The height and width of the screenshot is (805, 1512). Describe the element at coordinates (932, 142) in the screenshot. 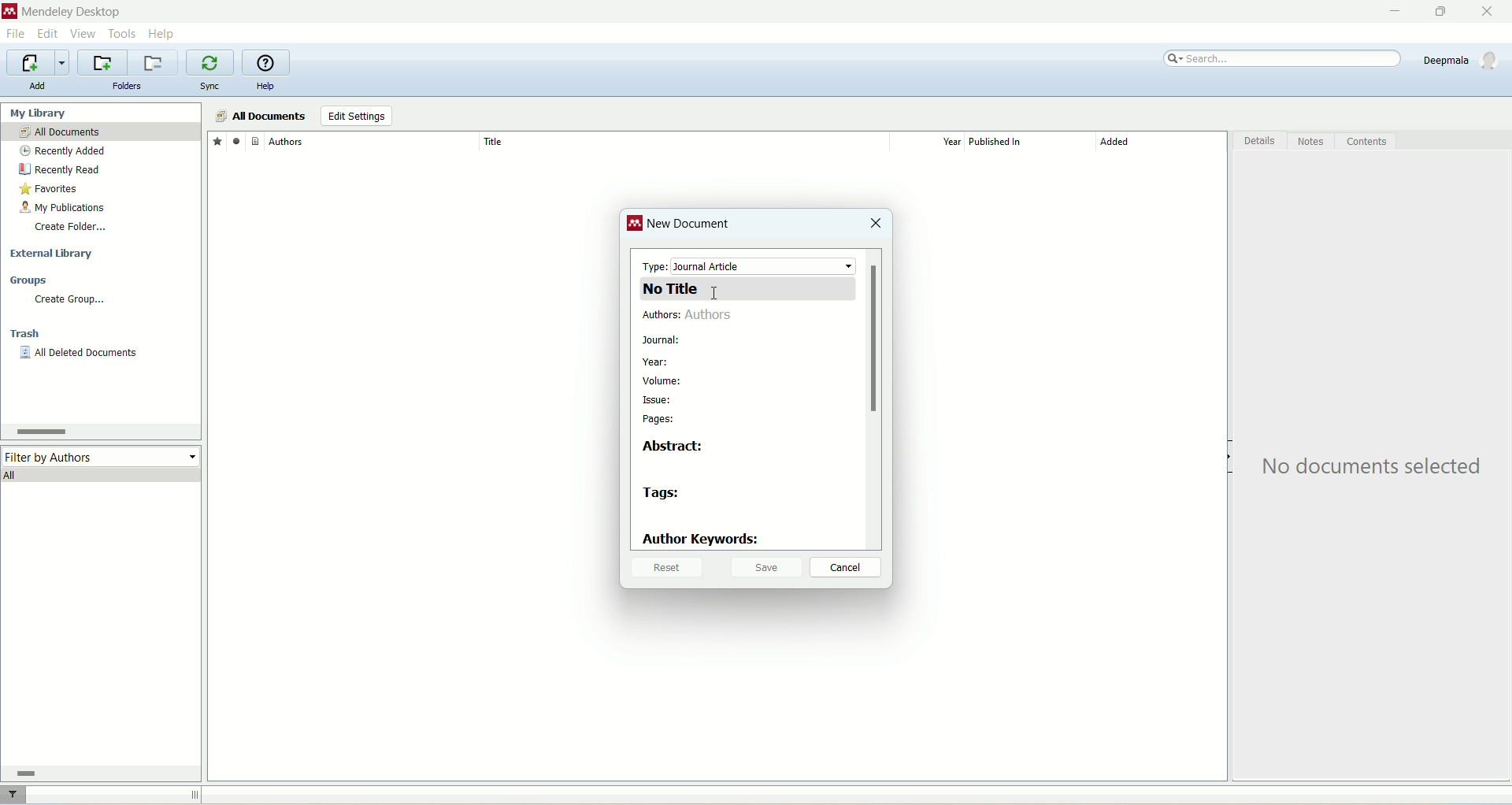

I see `year` at that location.